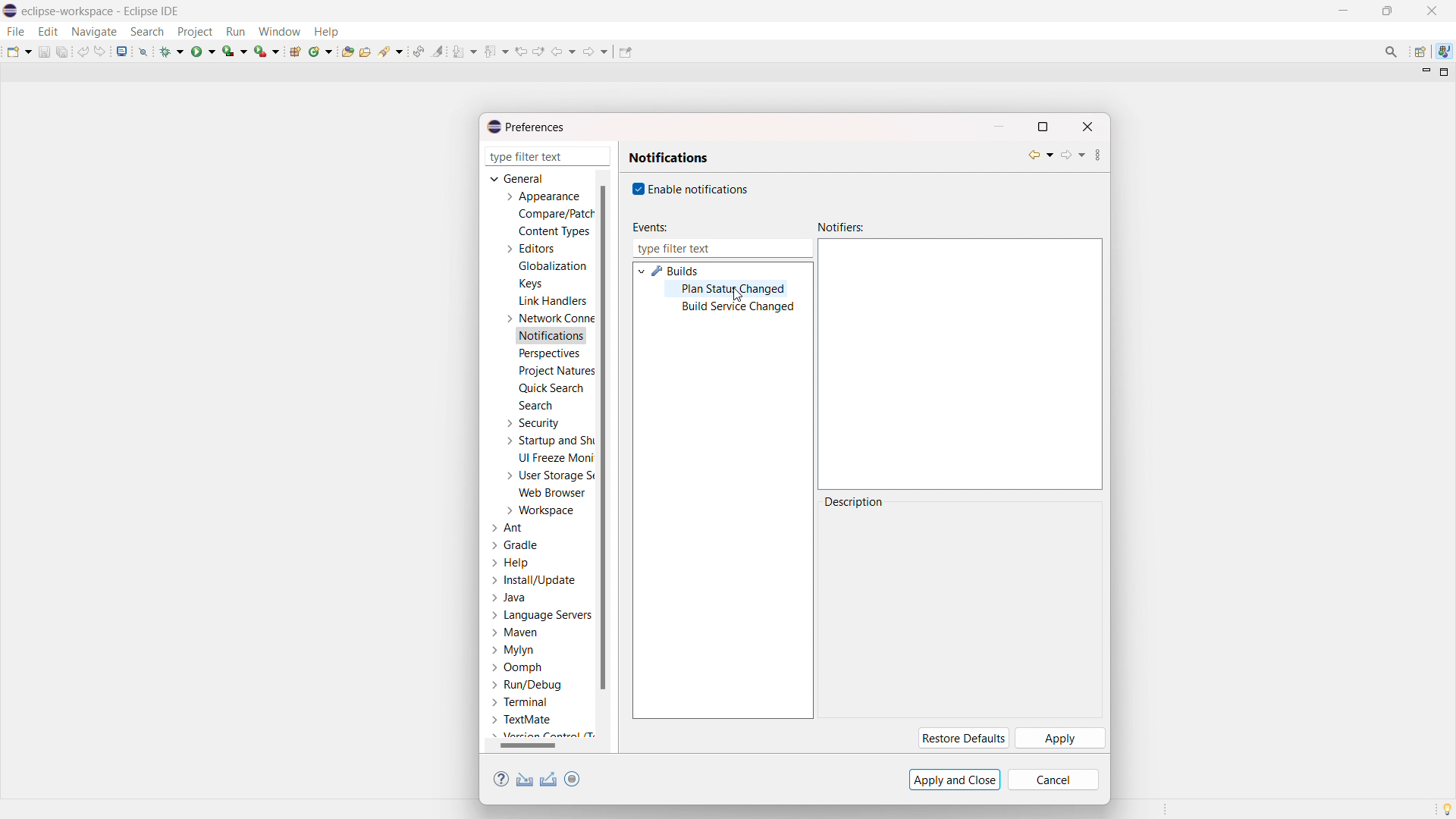  I want to click on view previous location, so click(521, 51).